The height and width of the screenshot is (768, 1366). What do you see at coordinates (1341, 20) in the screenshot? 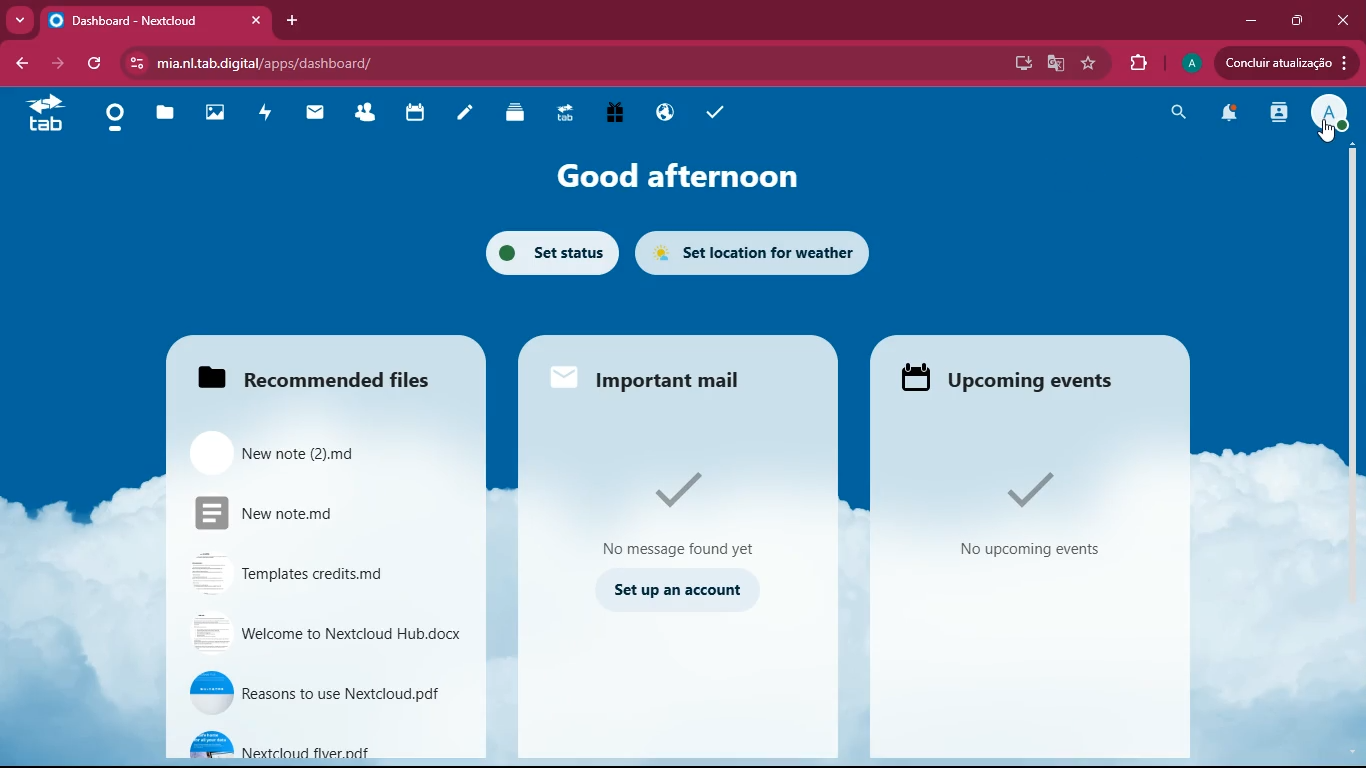
I see `close` at bounding box center [1341, 20].